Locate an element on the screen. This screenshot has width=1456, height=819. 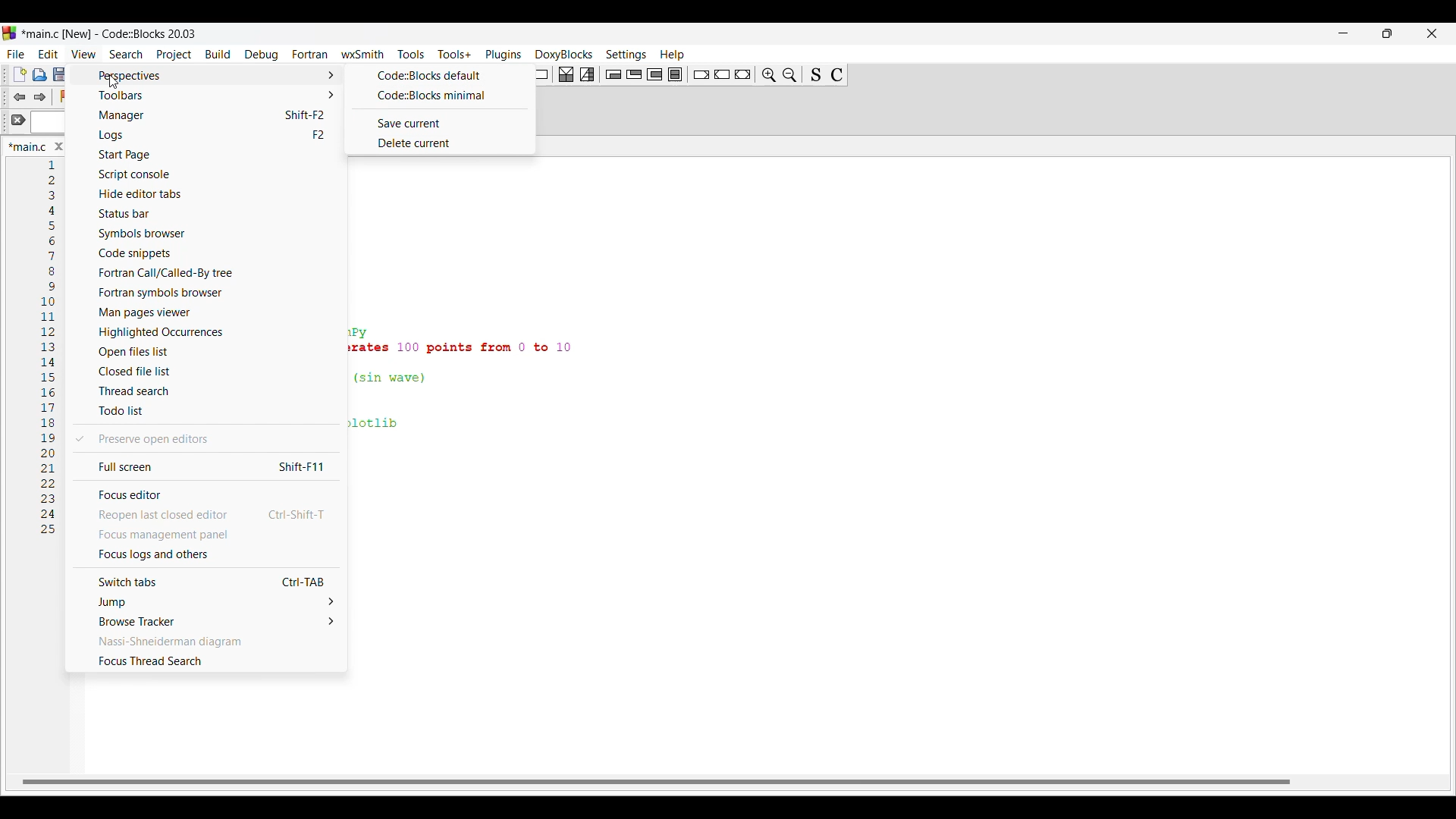
Decision is located at coordinates (566, 74).